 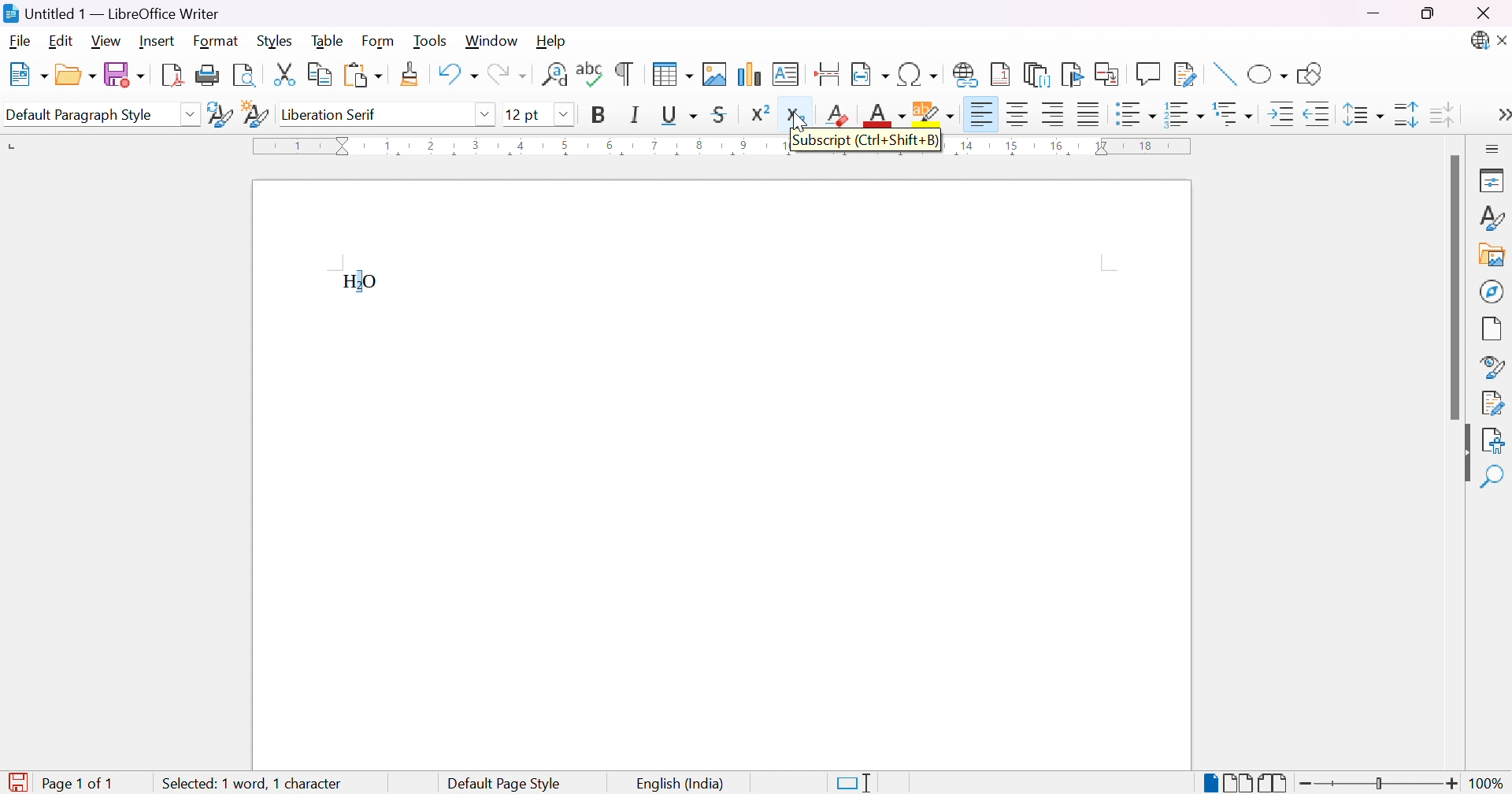 What do you see at coordinates (1478, 41) in the screenshot?
I see `Updates available.` at bounding box center [1478, 41].